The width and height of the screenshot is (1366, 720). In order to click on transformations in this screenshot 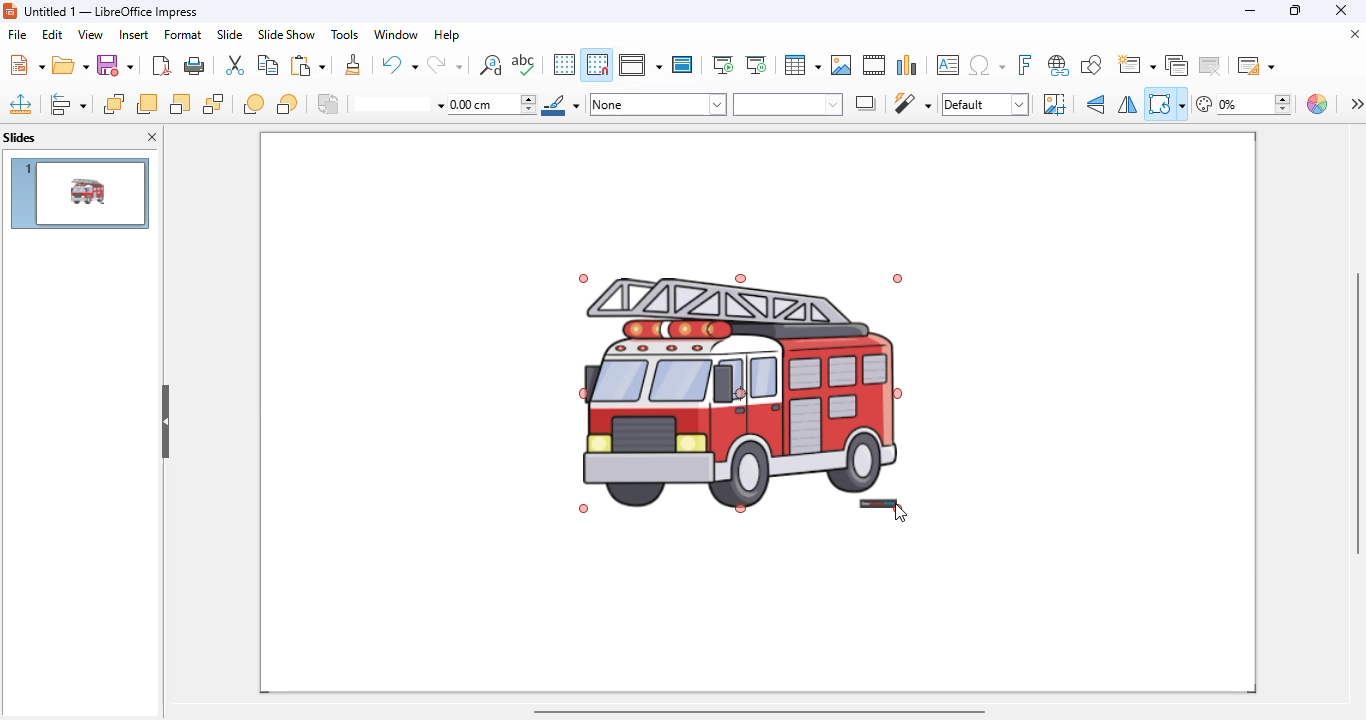, I will do `click(1166, 104)`.